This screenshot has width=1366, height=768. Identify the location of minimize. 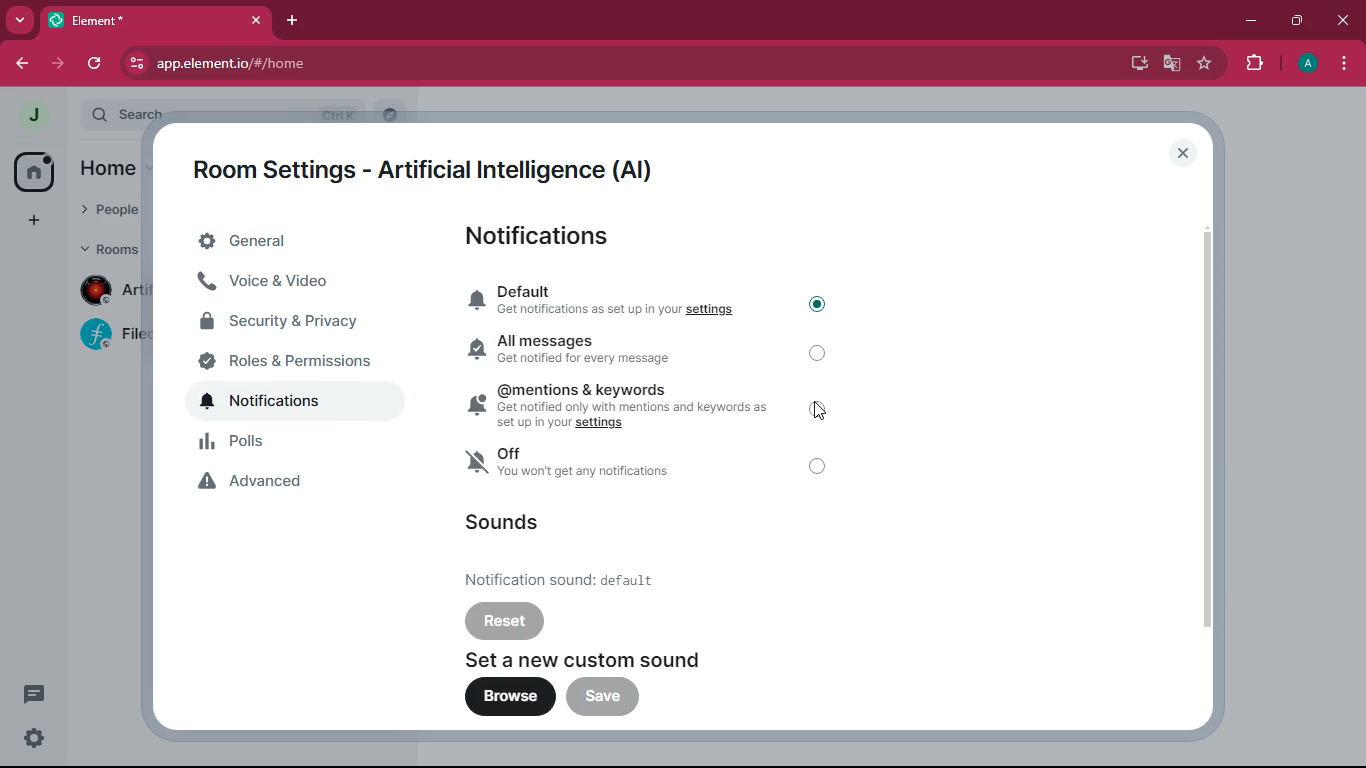
(1253, 20).